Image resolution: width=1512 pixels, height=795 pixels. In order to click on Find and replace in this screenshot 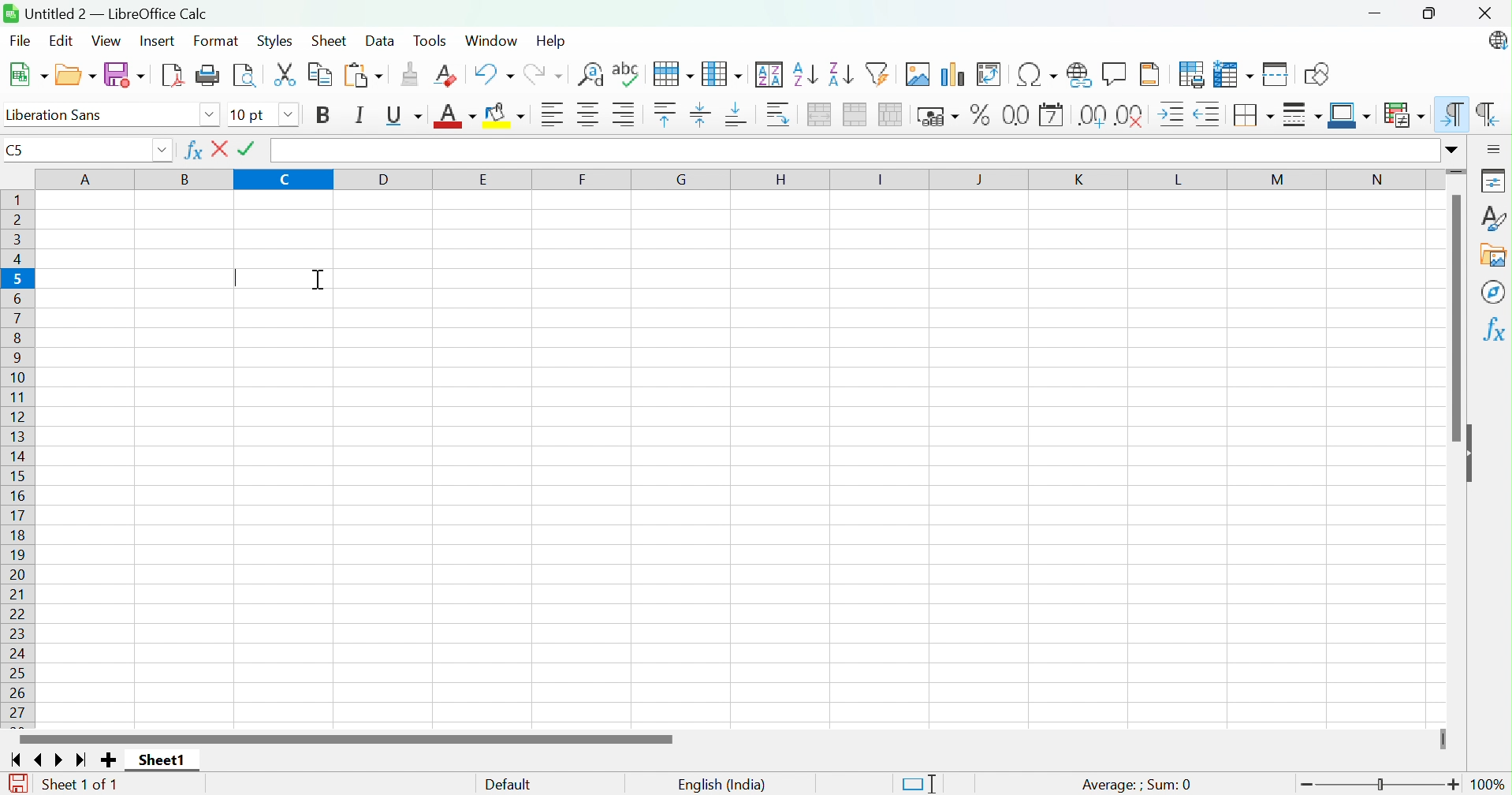, I will do `click(593, 76)`.